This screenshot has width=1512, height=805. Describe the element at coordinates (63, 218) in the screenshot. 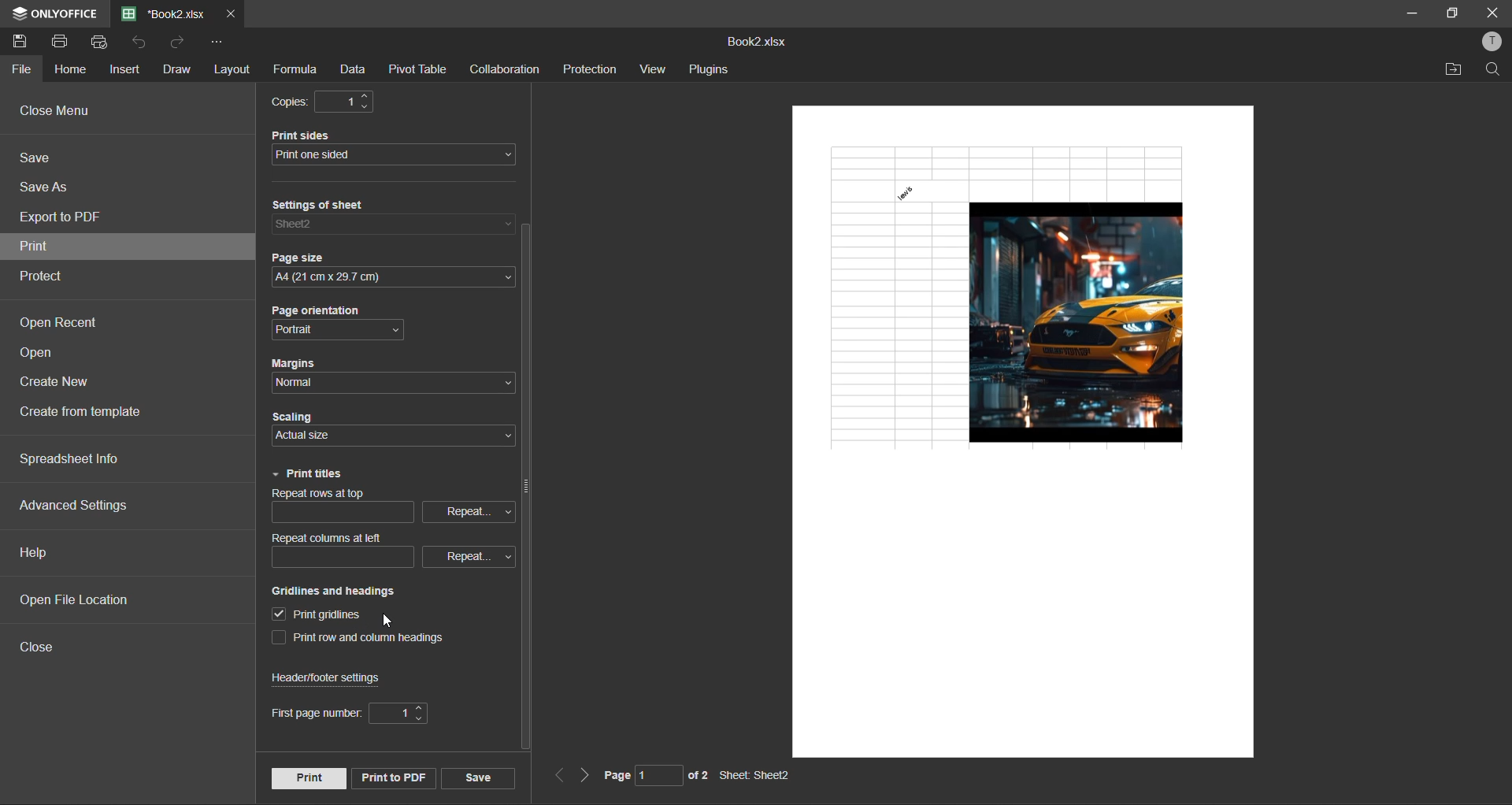

I see `export to pdf` at that location.